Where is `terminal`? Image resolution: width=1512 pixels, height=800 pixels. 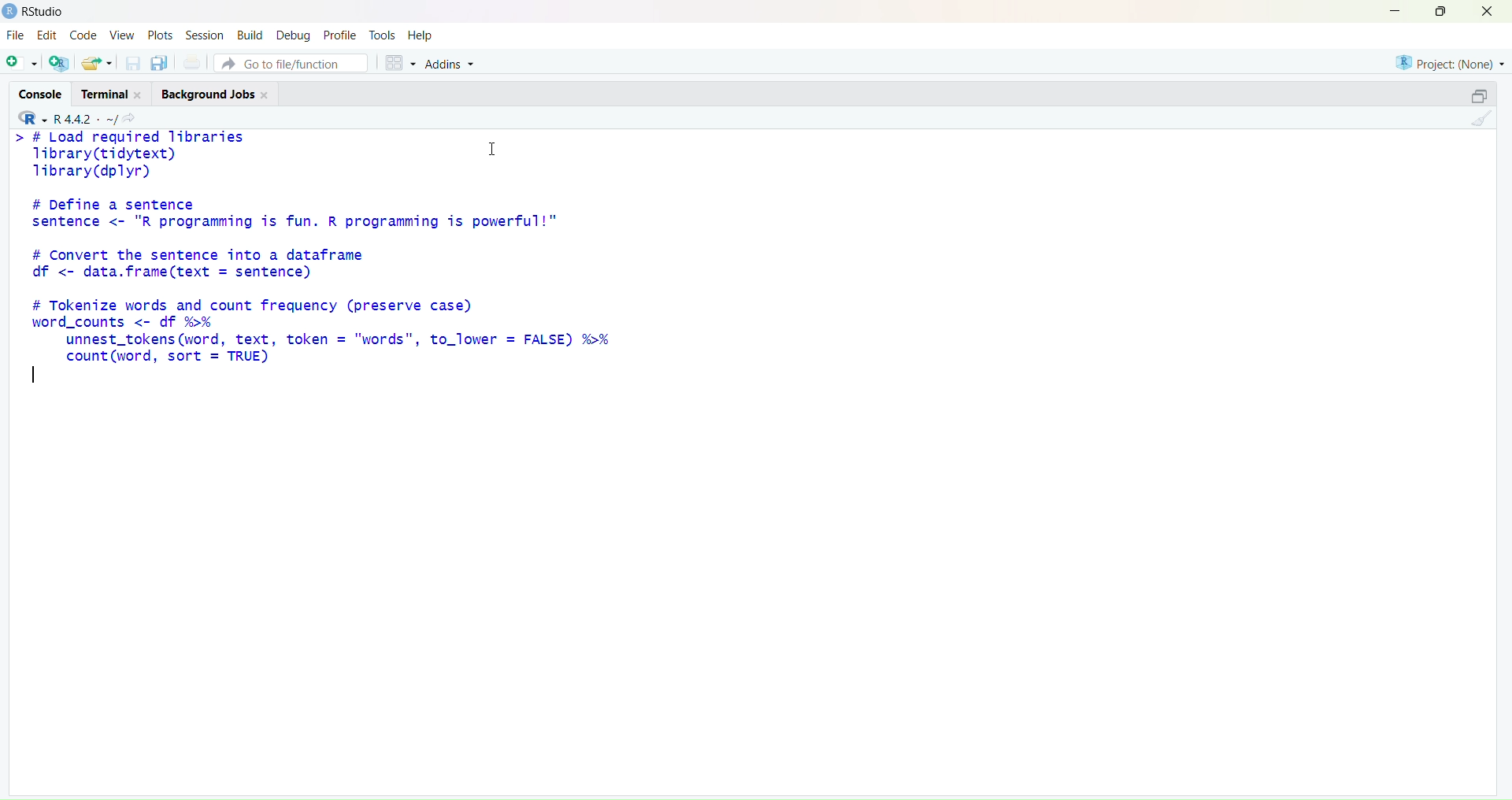 terminal is located at coordinates (111, 93).